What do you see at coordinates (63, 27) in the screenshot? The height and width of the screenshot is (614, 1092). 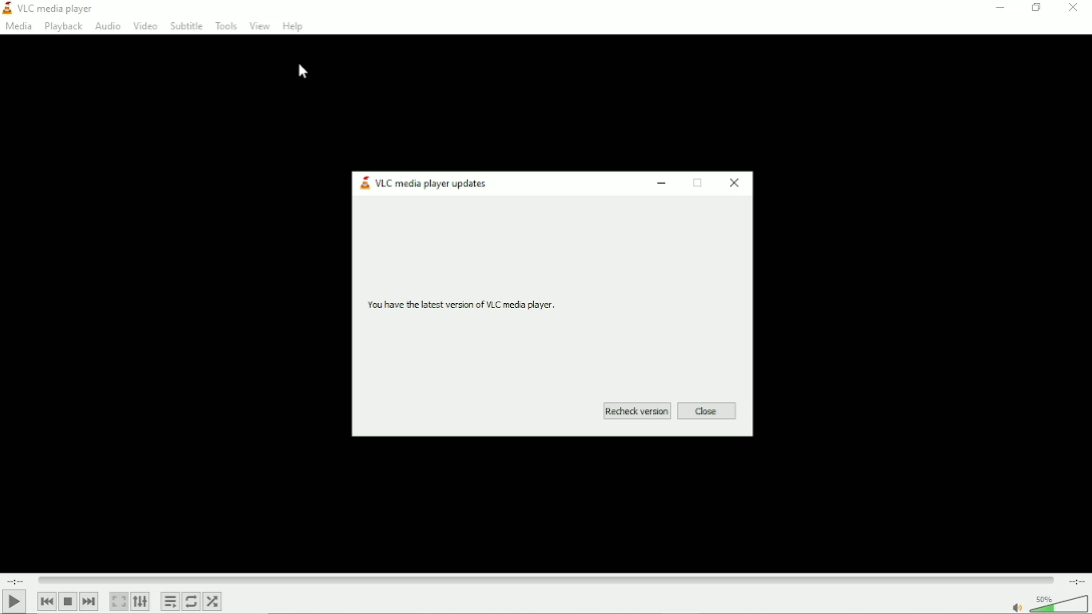 I see `Playback` at bounding box center [63, 27].